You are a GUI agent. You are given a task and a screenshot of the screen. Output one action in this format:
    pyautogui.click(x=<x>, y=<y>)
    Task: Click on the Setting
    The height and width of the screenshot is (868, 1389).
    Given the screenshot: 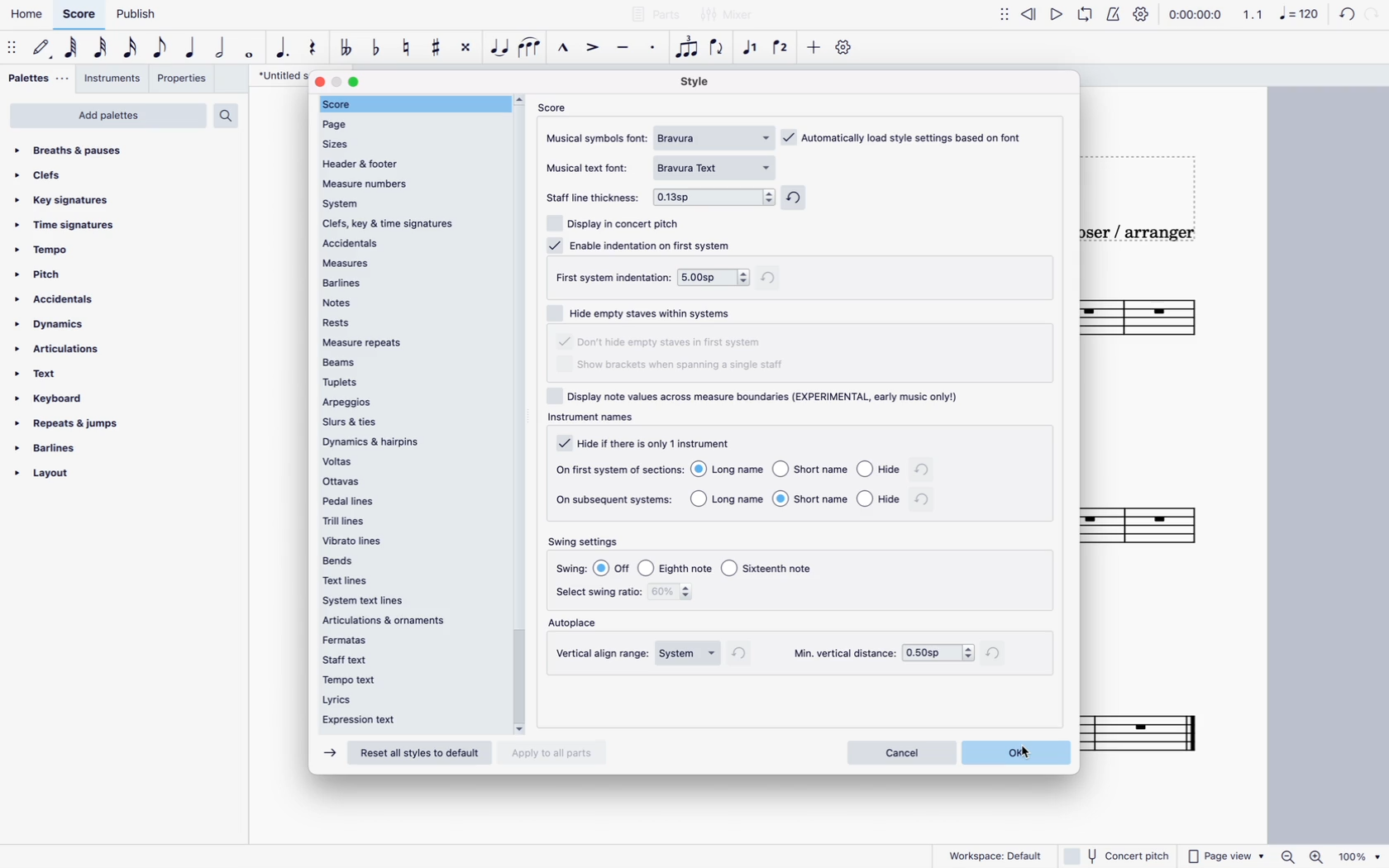 What is the action you would take?
    pyautogui.click(x=1143, y=13)
    